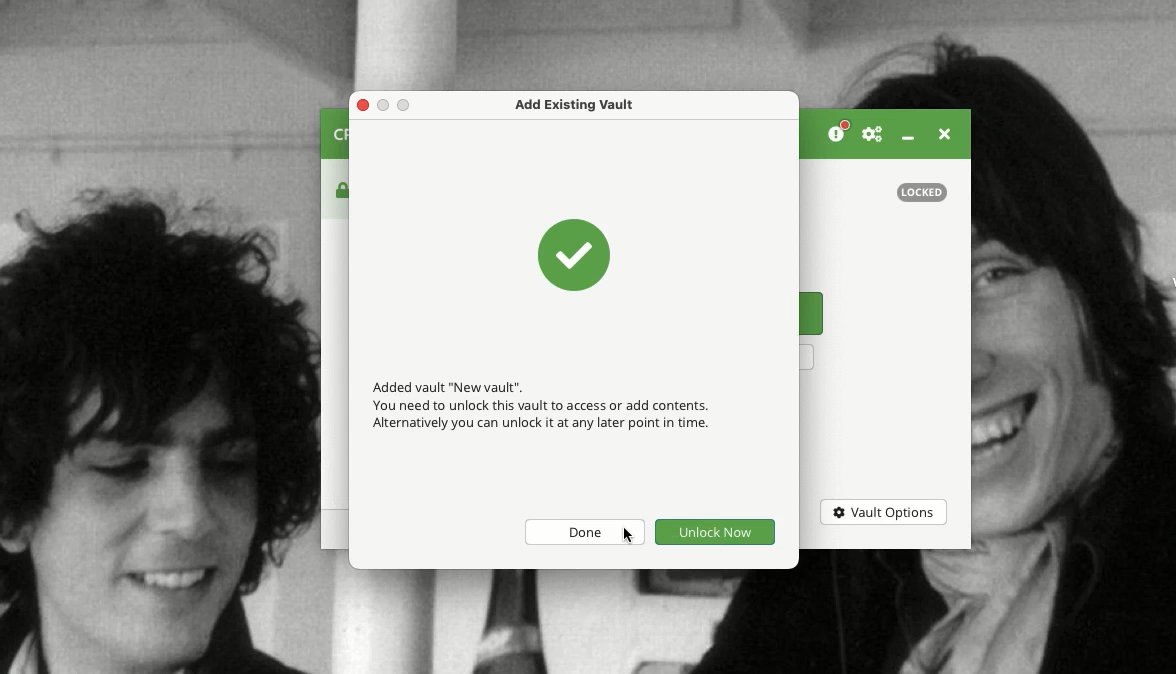  Describe the element at coordinates (882, 513) in the screenshot. I see `Vault options` at that location.